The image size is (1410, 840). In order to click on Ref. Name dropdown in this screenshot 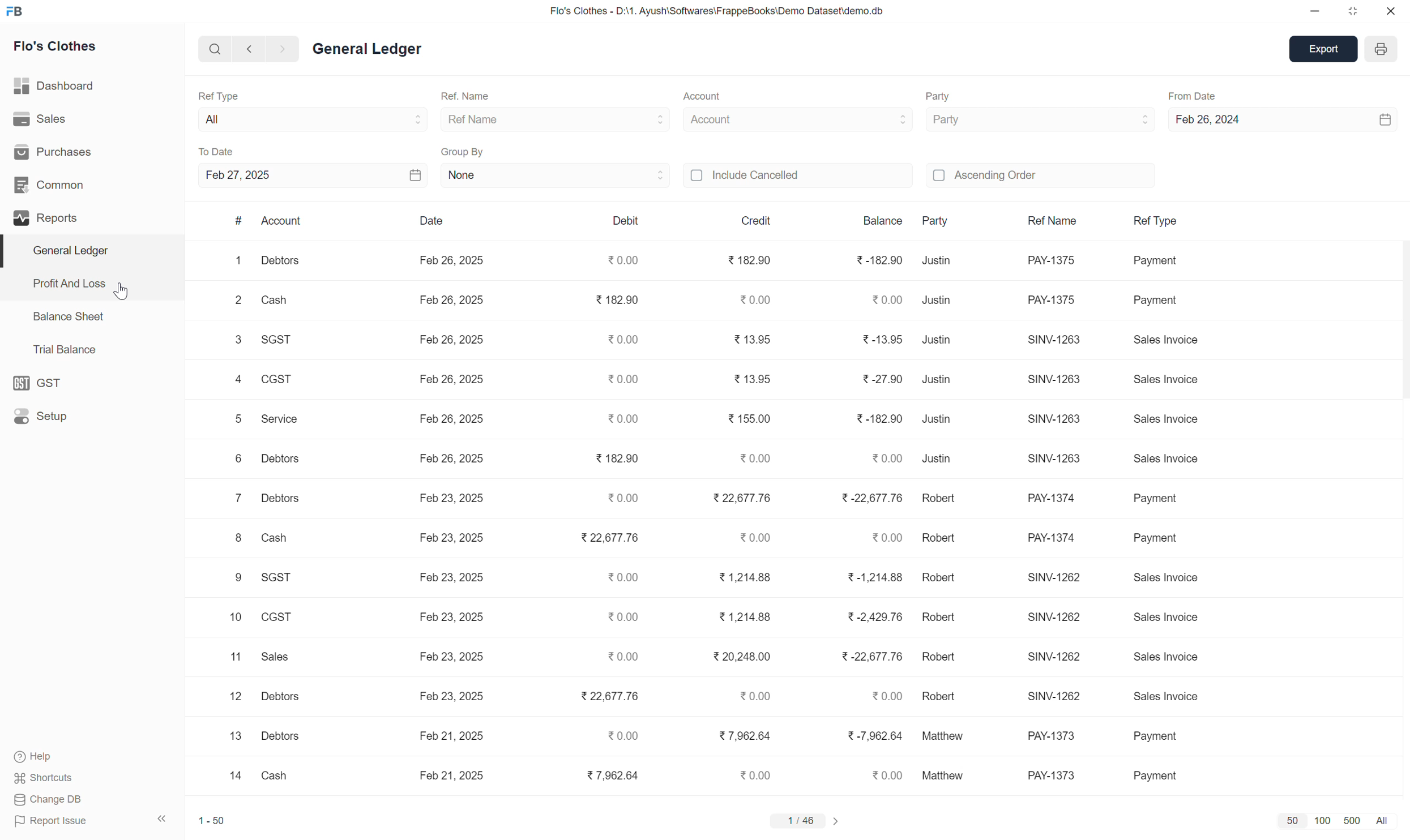, I will do `click(634, 119)`.